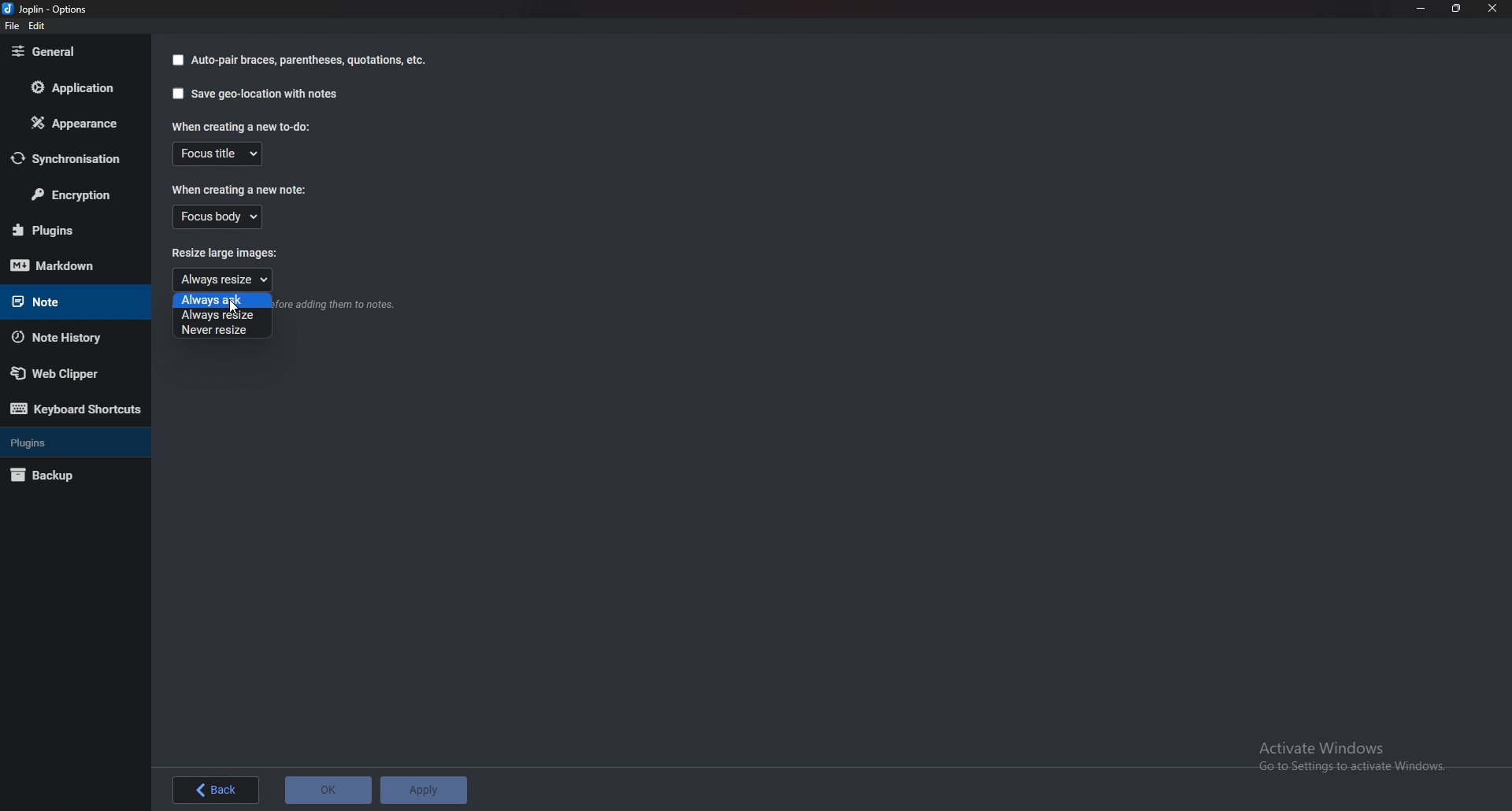 Image resolution: width=1512 pixels, height=811 pixels. What do you see at coordinates (1492, 8) in the screenshot?
I see `close` at bounding box center [1492, 8].